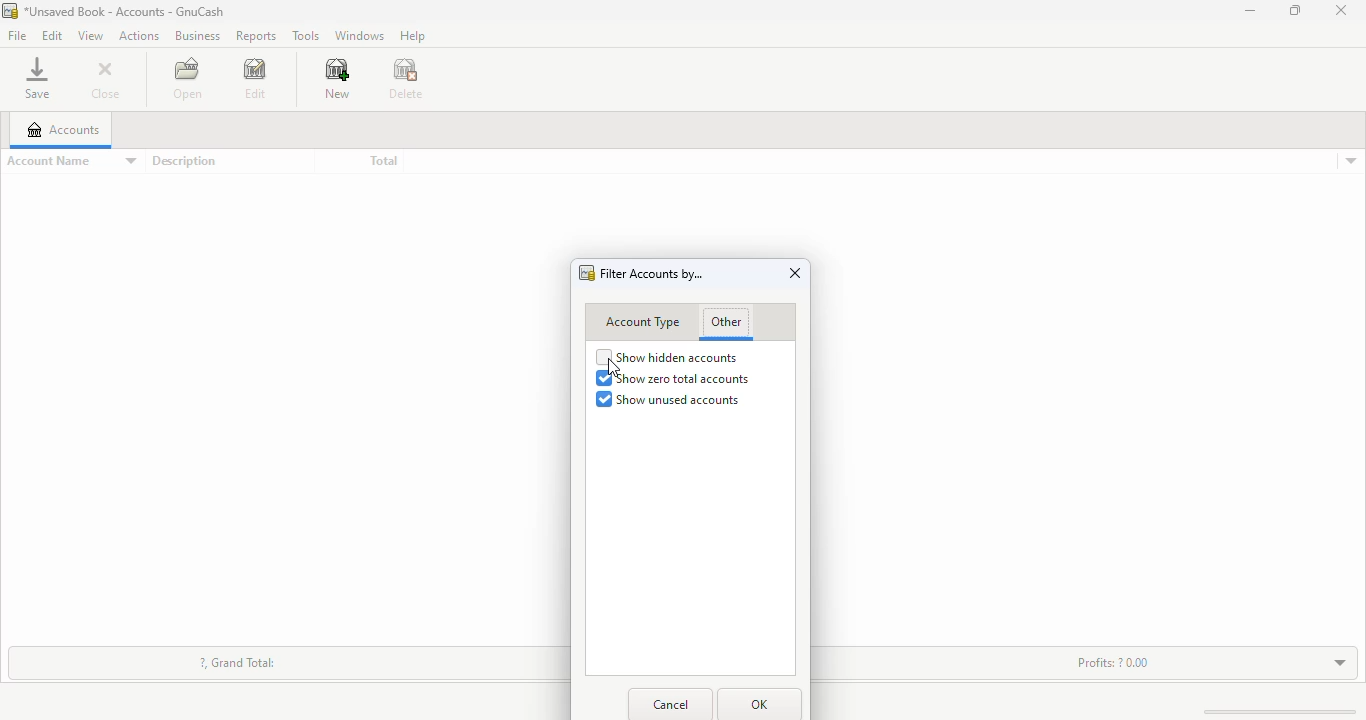  Describe the element at coordinates (1333, 662) in the screenshot. I see `toggle expand` at that location.